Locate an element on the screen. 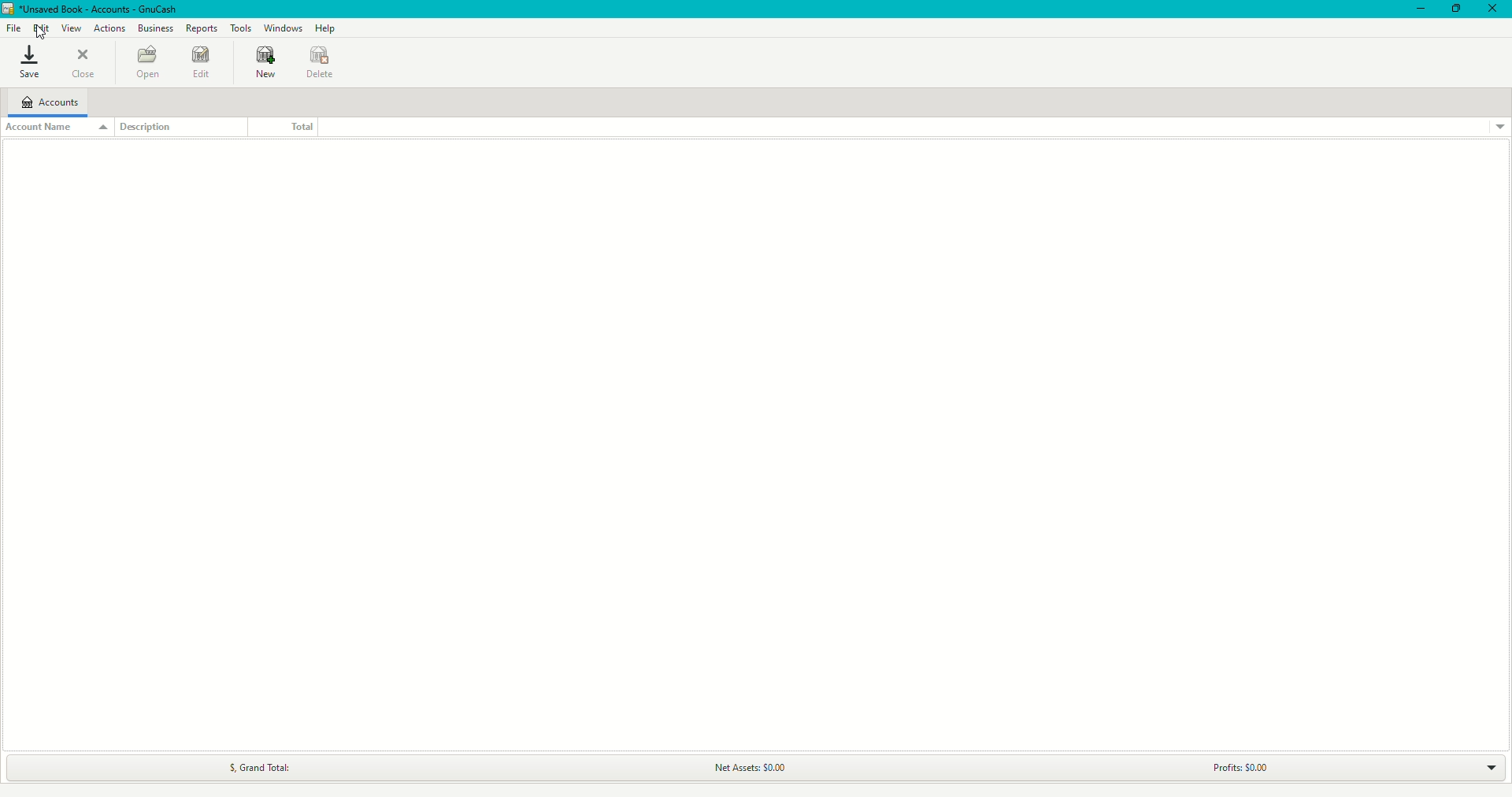 The height and width of the screenshot is (797, 1512). Profits is located at coordinates (1232, 768).